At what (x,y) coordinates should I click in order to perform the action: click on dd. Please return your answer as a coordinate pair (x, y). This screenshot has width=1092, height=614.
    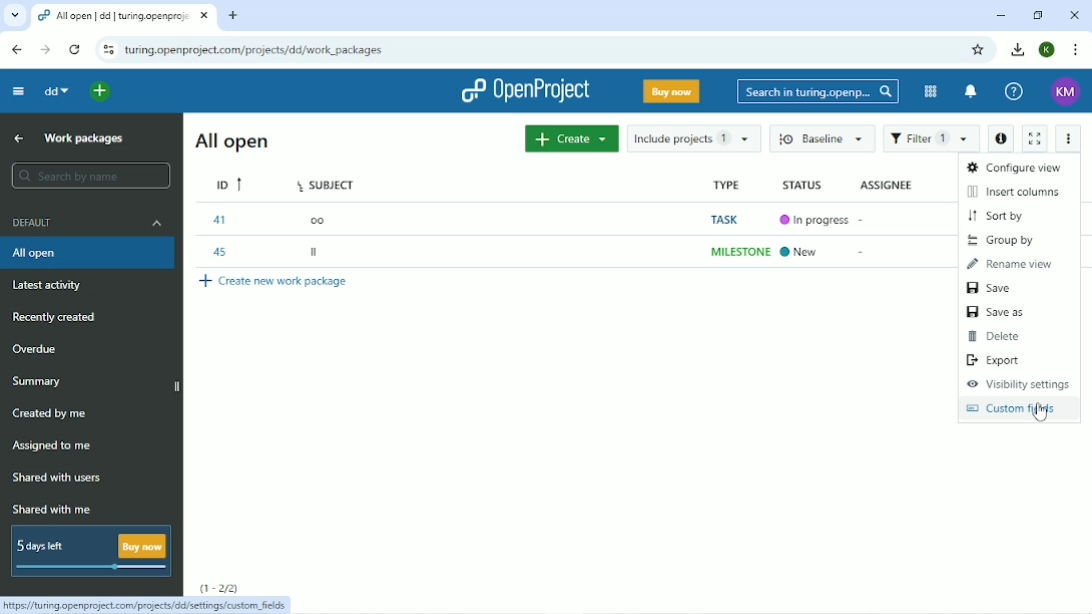
    Looking at the image, I should click on (57, 90).